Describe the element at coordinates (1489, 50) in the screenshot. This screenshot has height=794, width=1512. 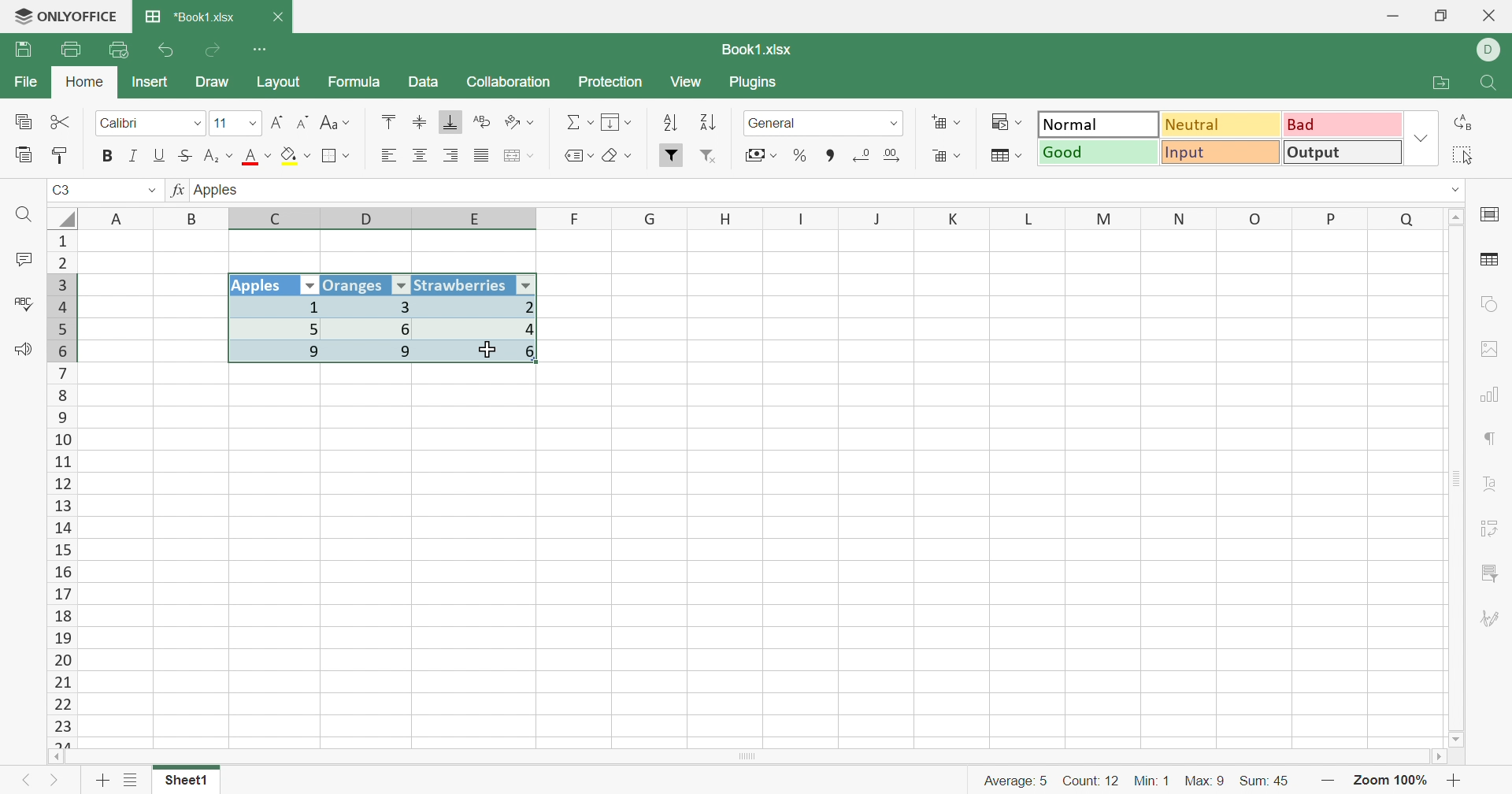
I see `D` at that location.